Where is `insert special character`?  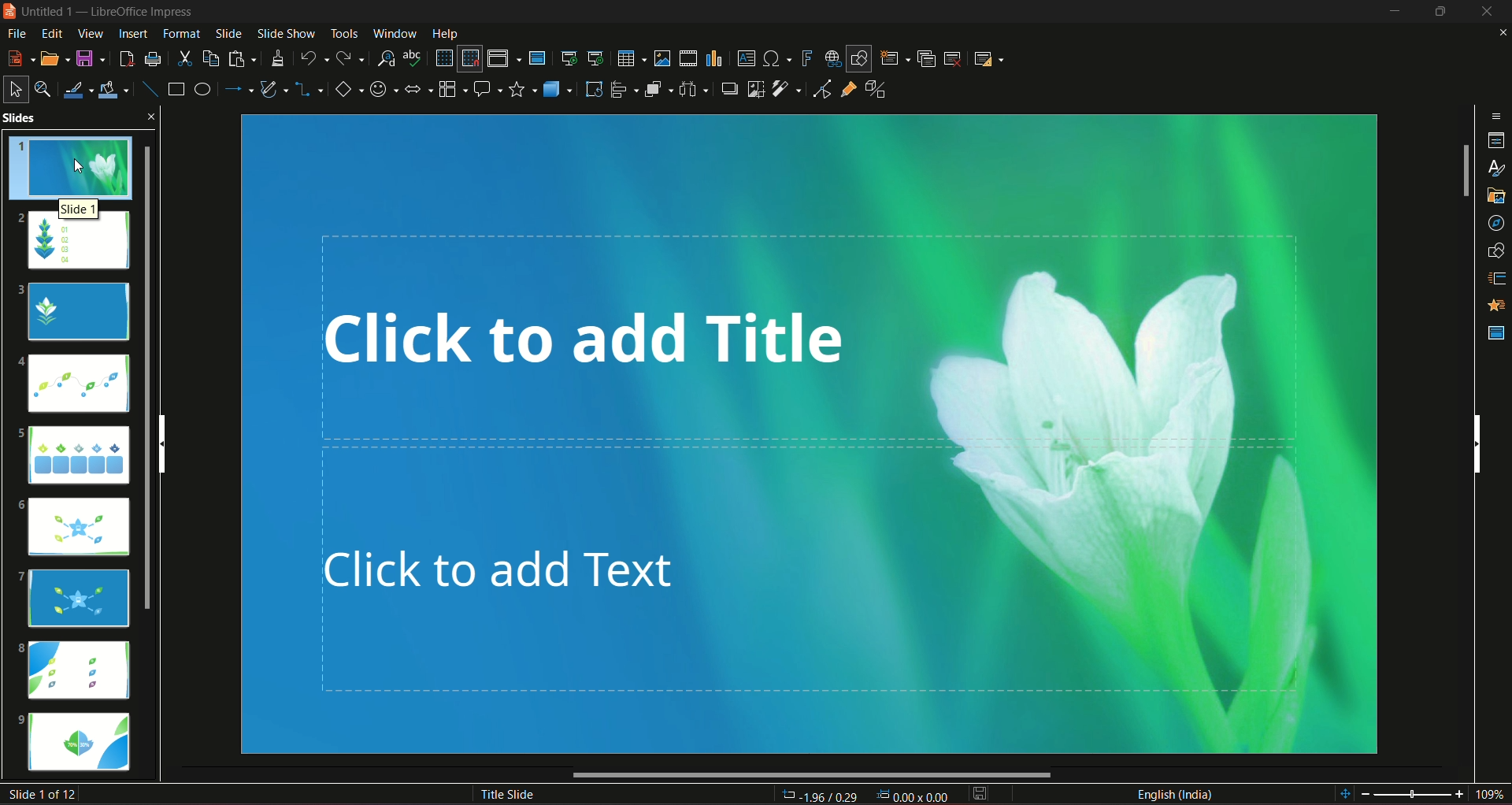 insert special character is located at coordinates (776, 58).